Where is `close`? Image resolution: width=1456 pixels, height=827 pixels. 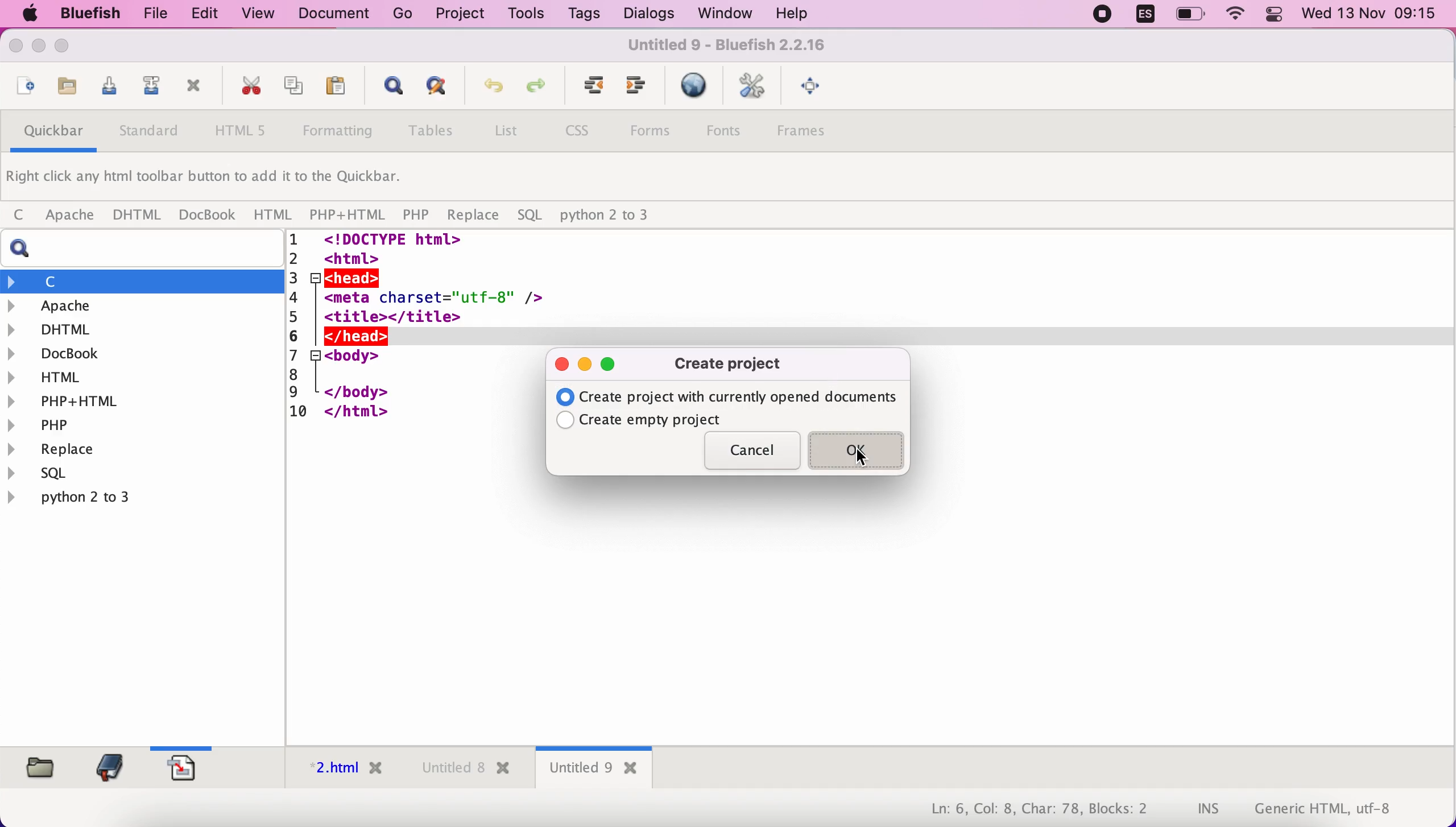 close is located at coordinates (19, 48).